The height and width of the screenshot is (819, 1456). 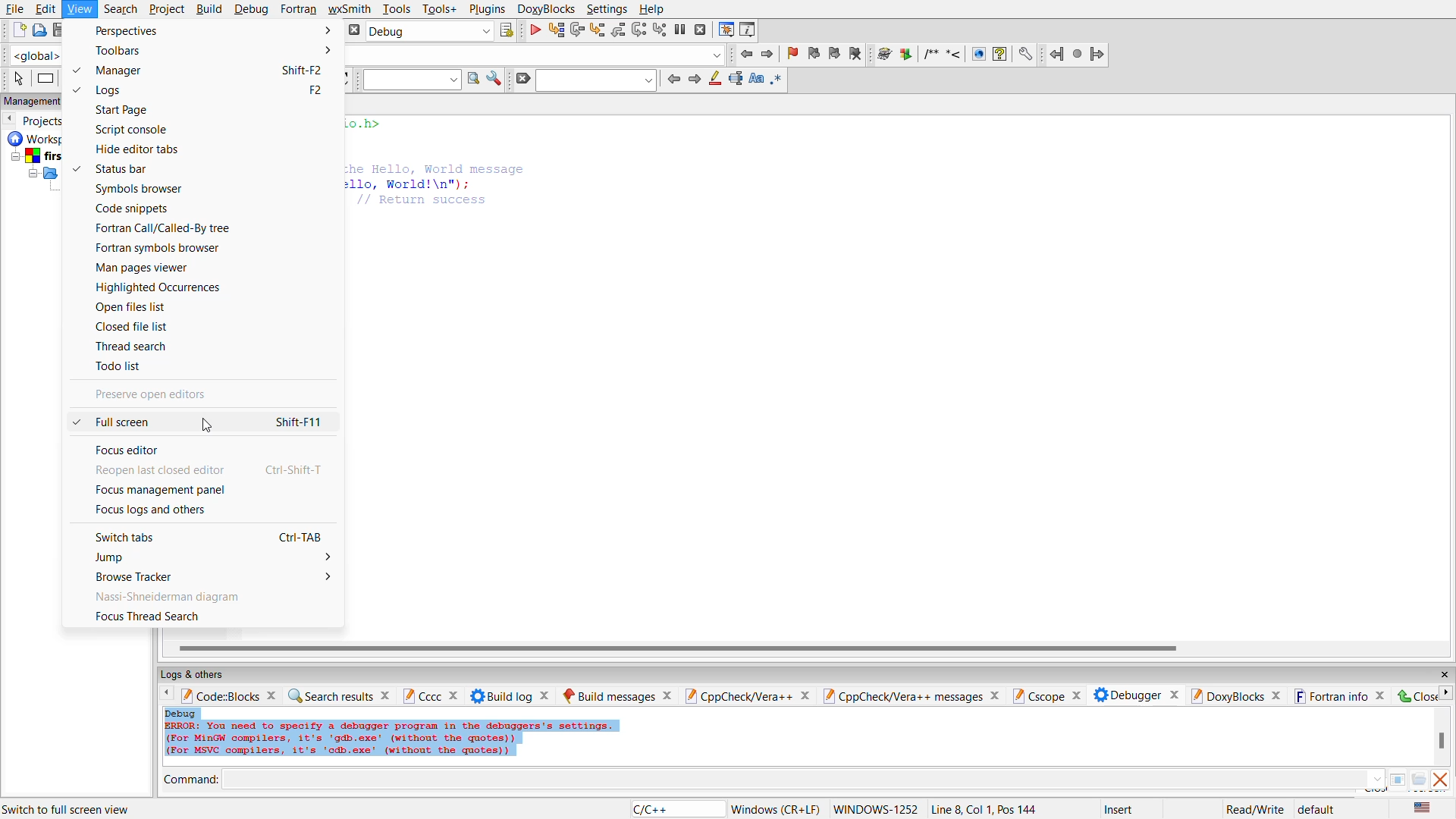 What do you see at coordinates (219, 577) in the screenshot?
I see `browse tracker` at bounding box center [219, 577].